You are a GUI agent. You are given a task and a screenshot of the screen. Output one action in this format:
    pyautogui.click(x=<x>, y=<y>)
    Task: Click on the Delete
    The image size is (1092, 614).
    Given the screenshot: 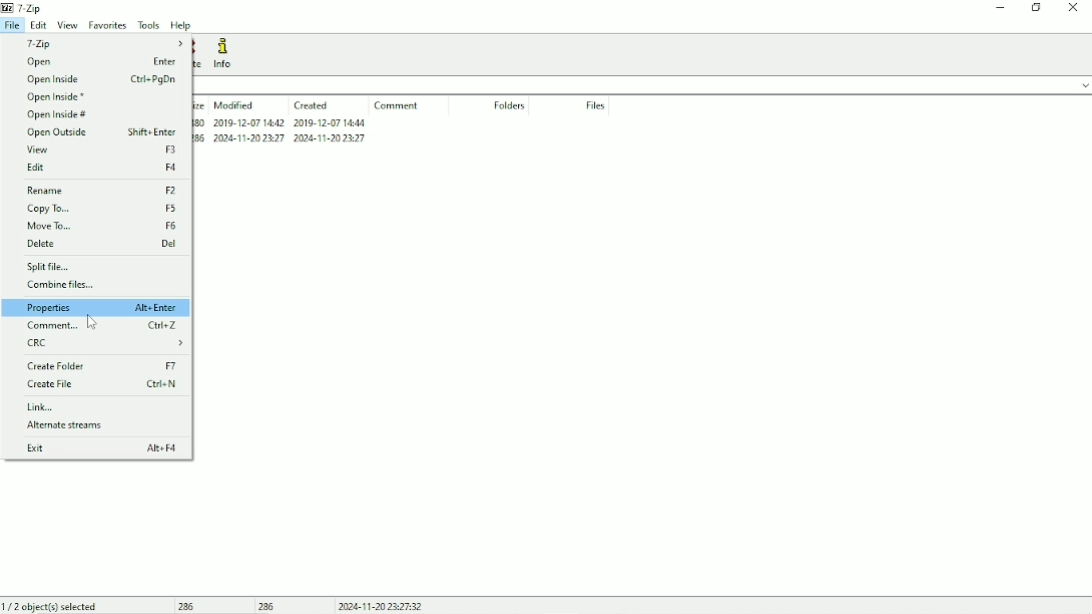 What is the action you would take?
    pyautogui.click(x=103, y=244)
    